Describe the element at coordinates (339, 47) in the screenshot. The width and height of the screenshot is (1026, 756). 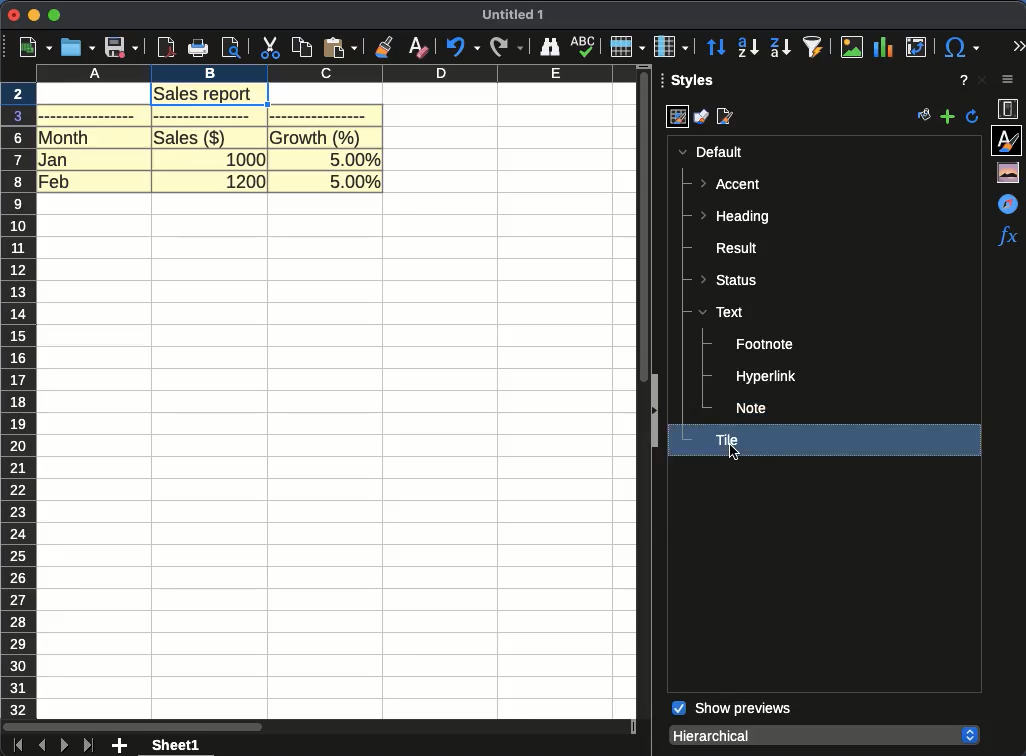
I see `paste` at that location.